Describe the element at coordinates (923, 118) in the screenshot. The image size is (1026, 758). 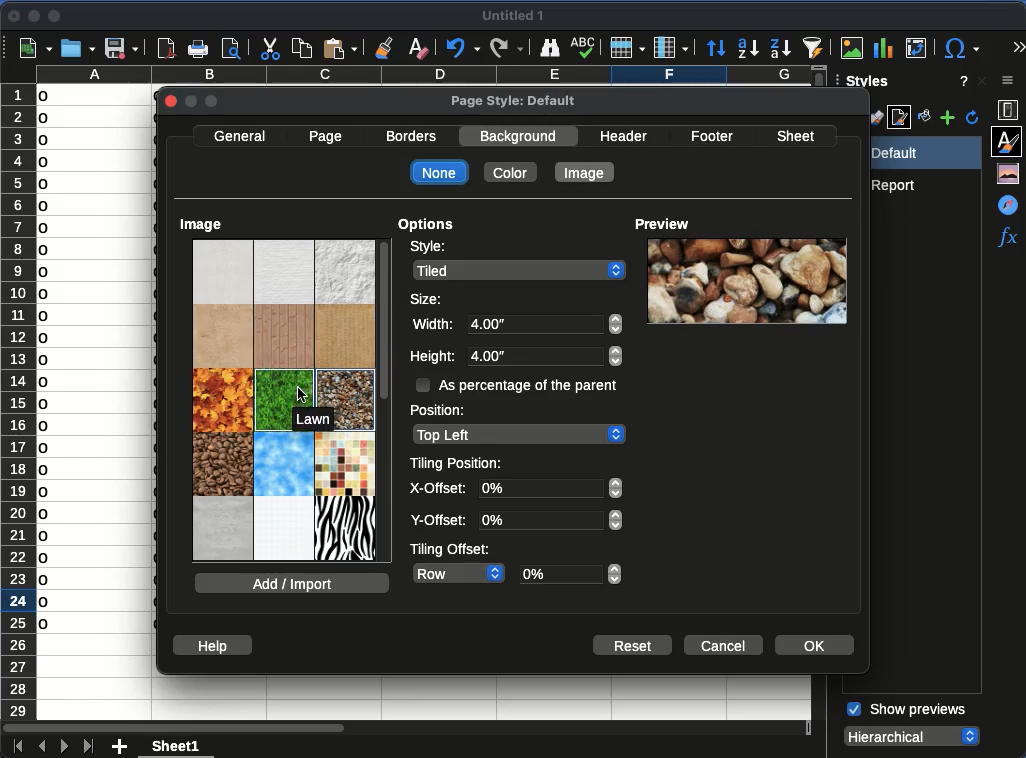
I see `fill format` at that location.